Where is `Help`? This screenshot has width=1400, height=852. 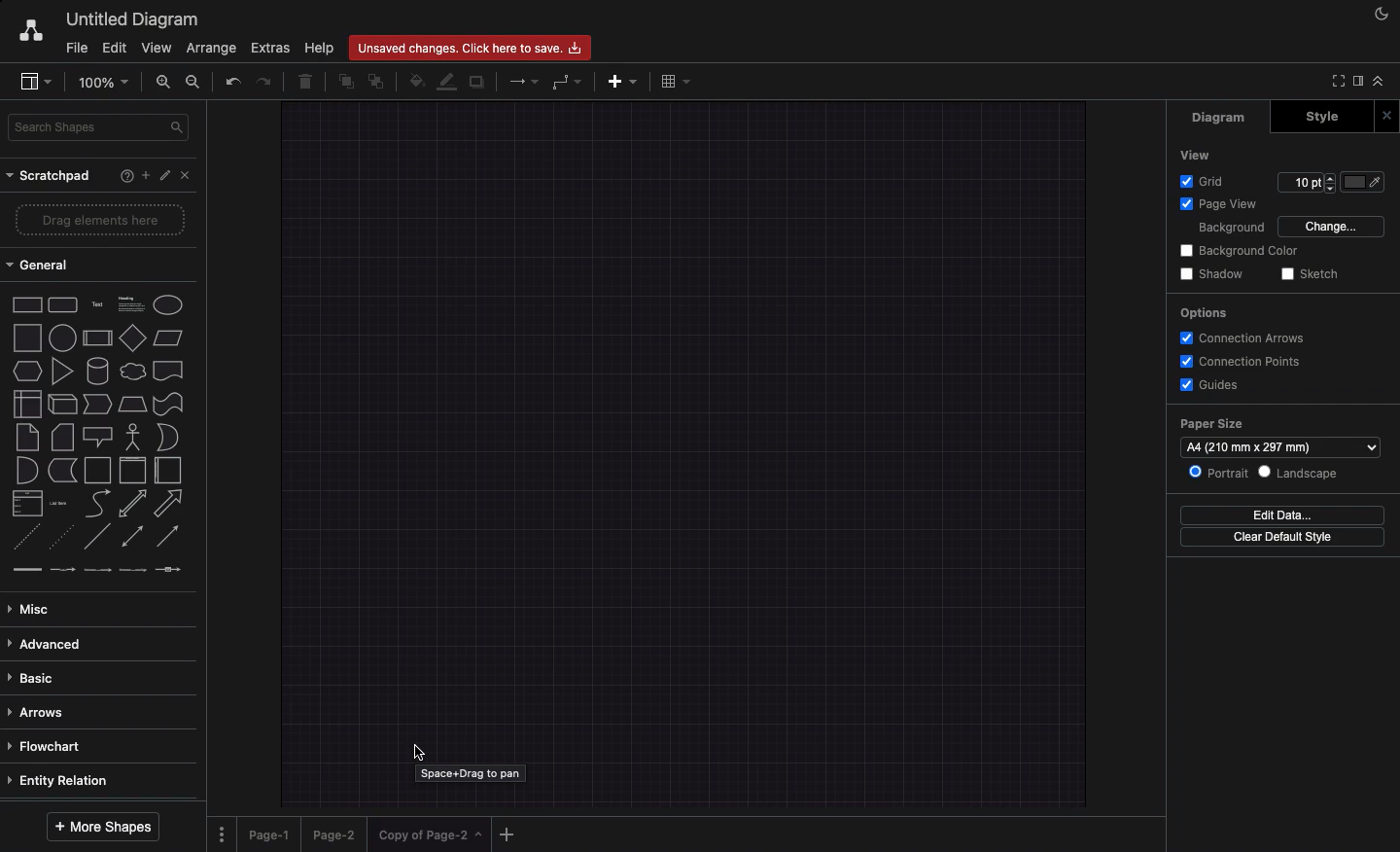 Help is located at coordinates (115, 174).